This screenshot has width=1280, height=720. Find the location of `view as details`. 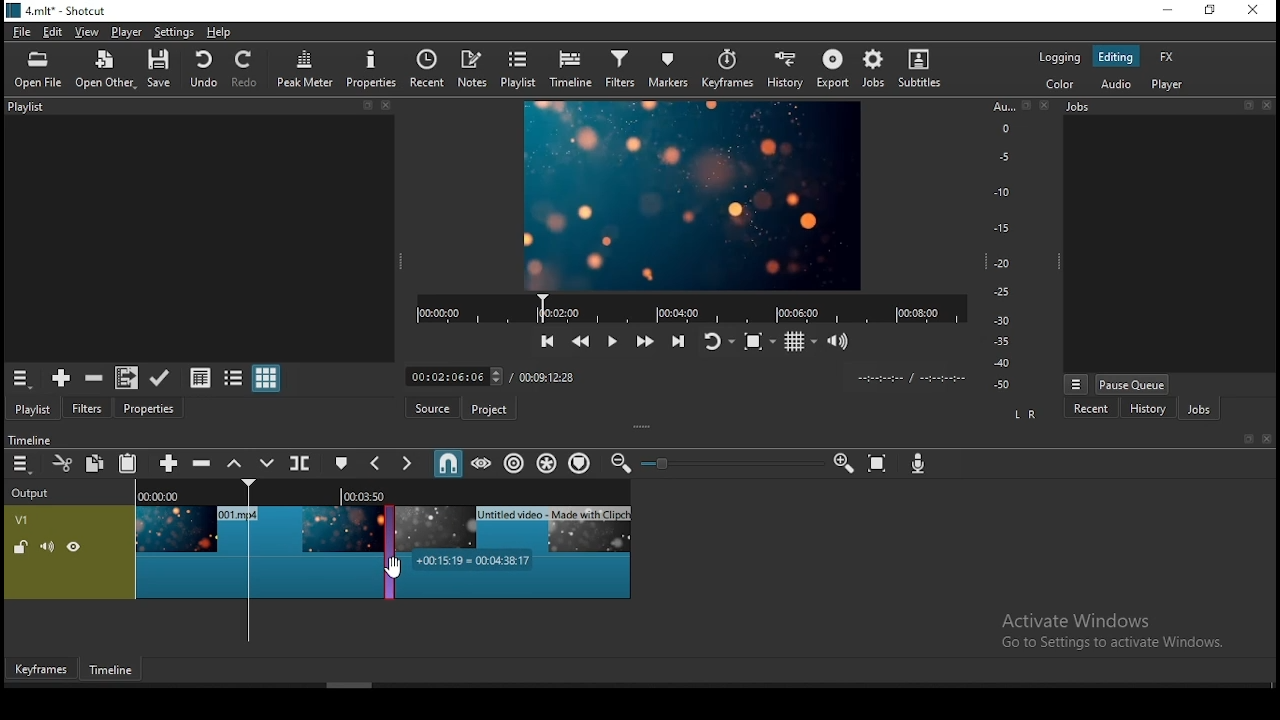

view as details is located at coordinates (201, 376).